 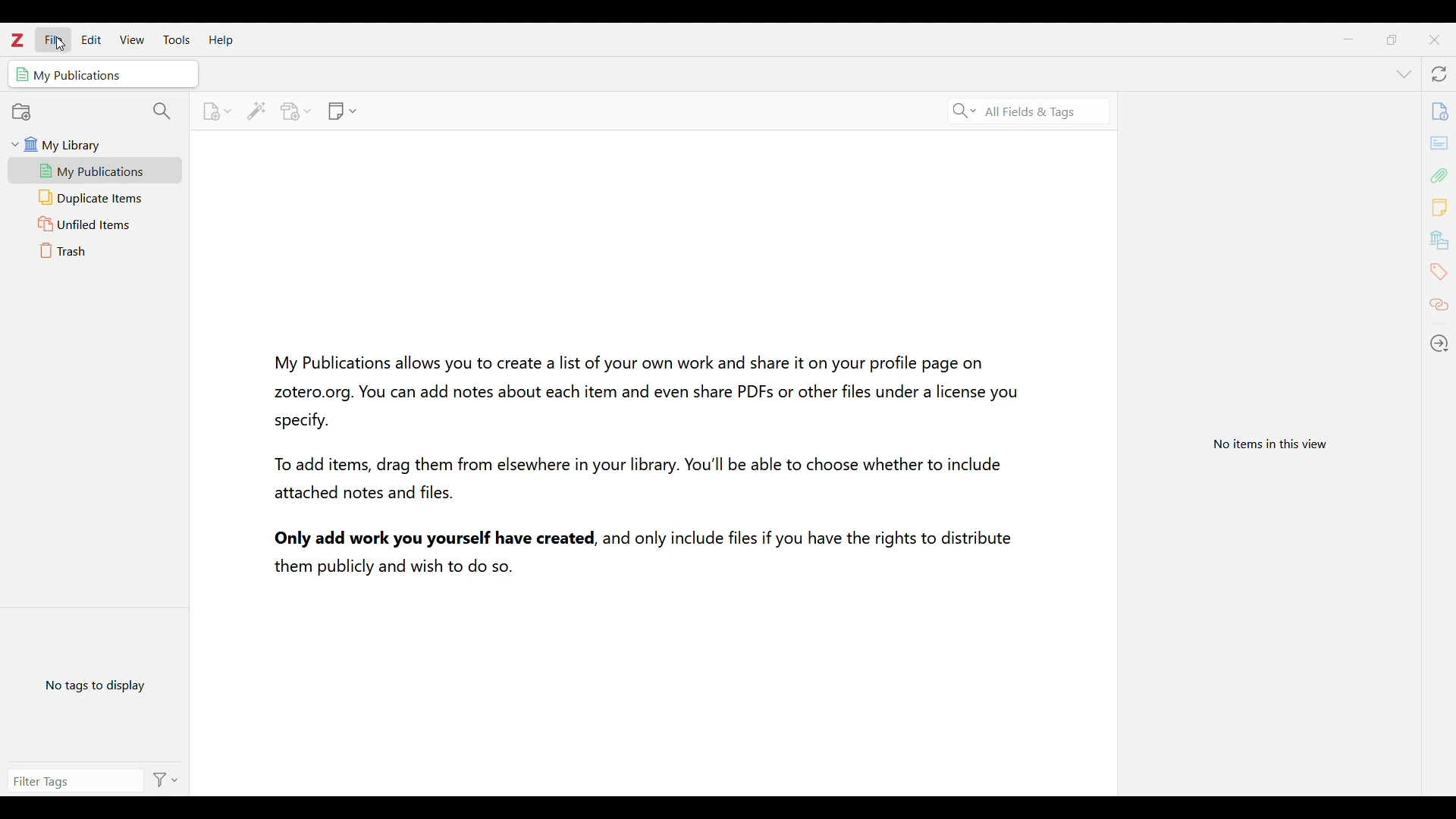 I want to click on Add item/s by Identifier, so click(x=256, y=111).